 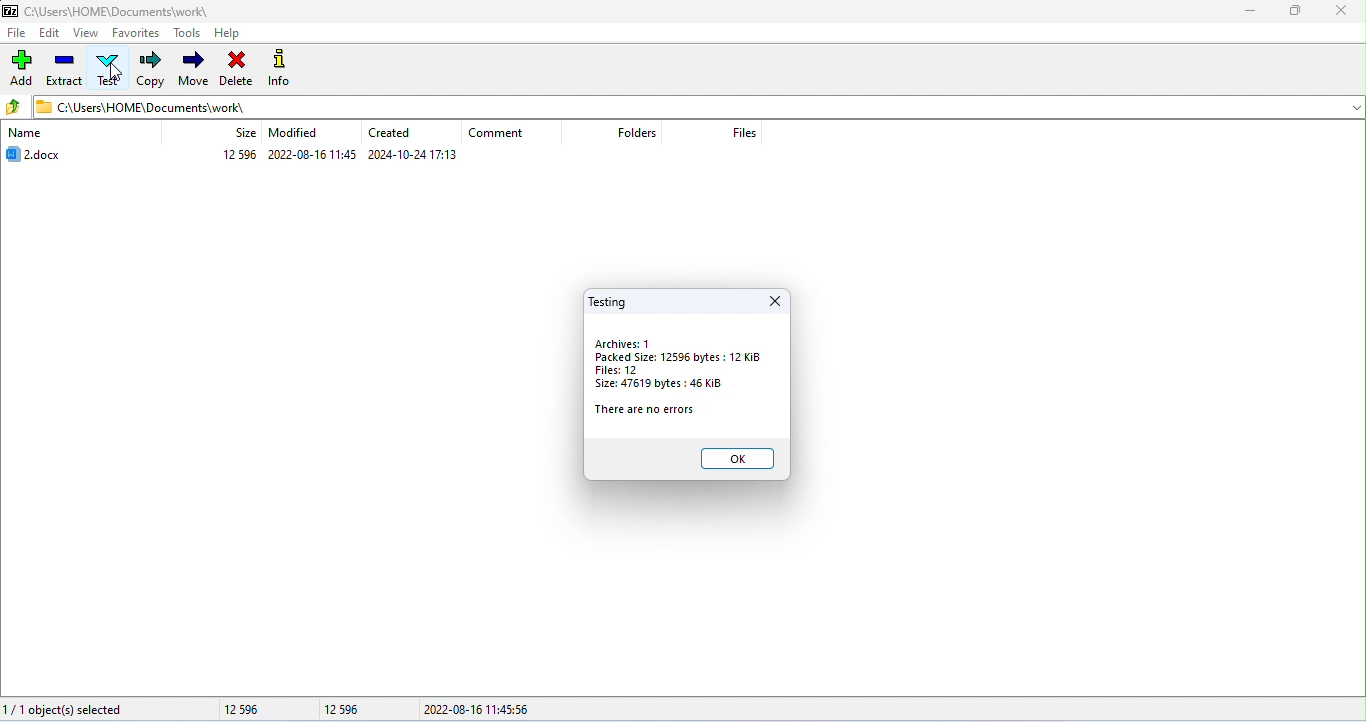 I want to click on add, so click(x=20, y=69).